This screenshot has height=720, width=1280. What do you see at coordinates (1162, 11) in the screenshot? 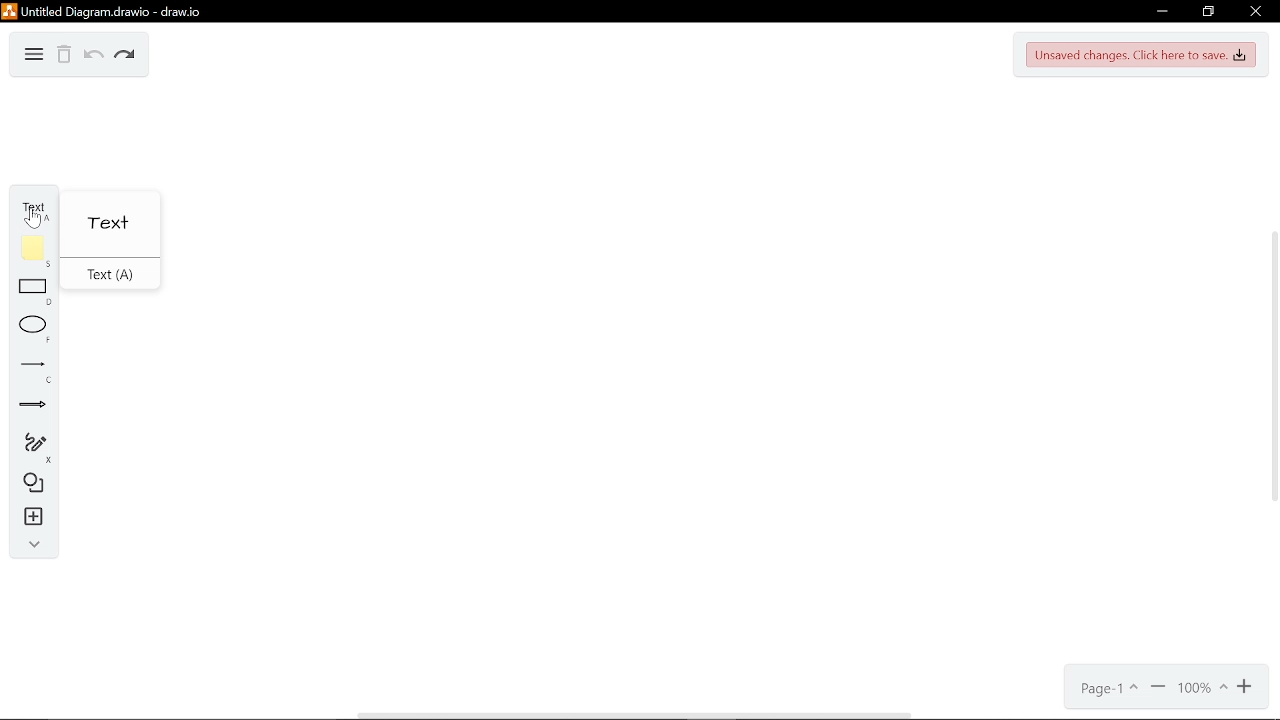
I see `Minimize` at bounding box center [1162, 11].